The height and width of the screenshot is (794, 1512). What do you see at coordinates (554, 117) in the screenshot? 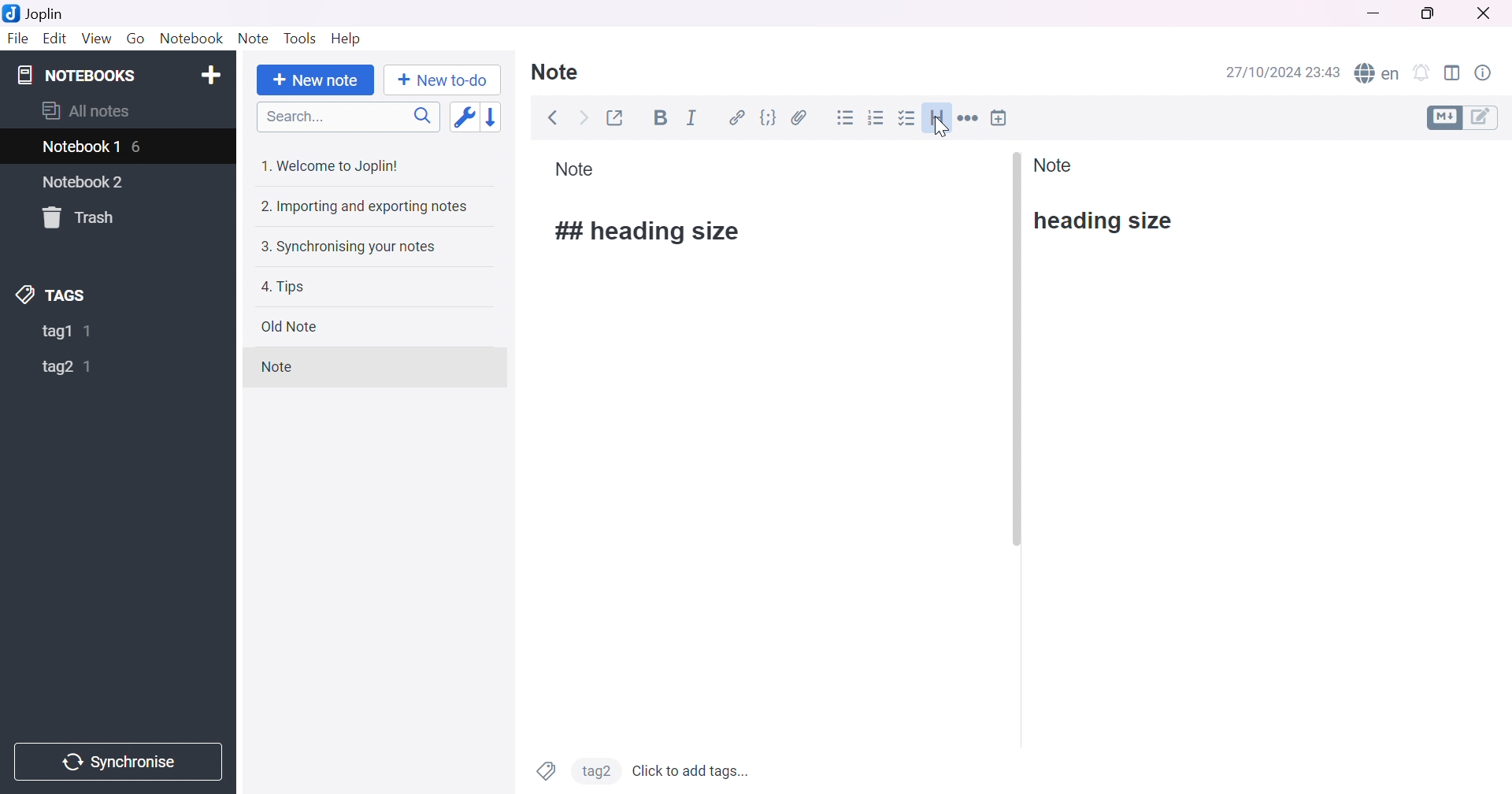
I see `Back` at bounding box center [554, 117].